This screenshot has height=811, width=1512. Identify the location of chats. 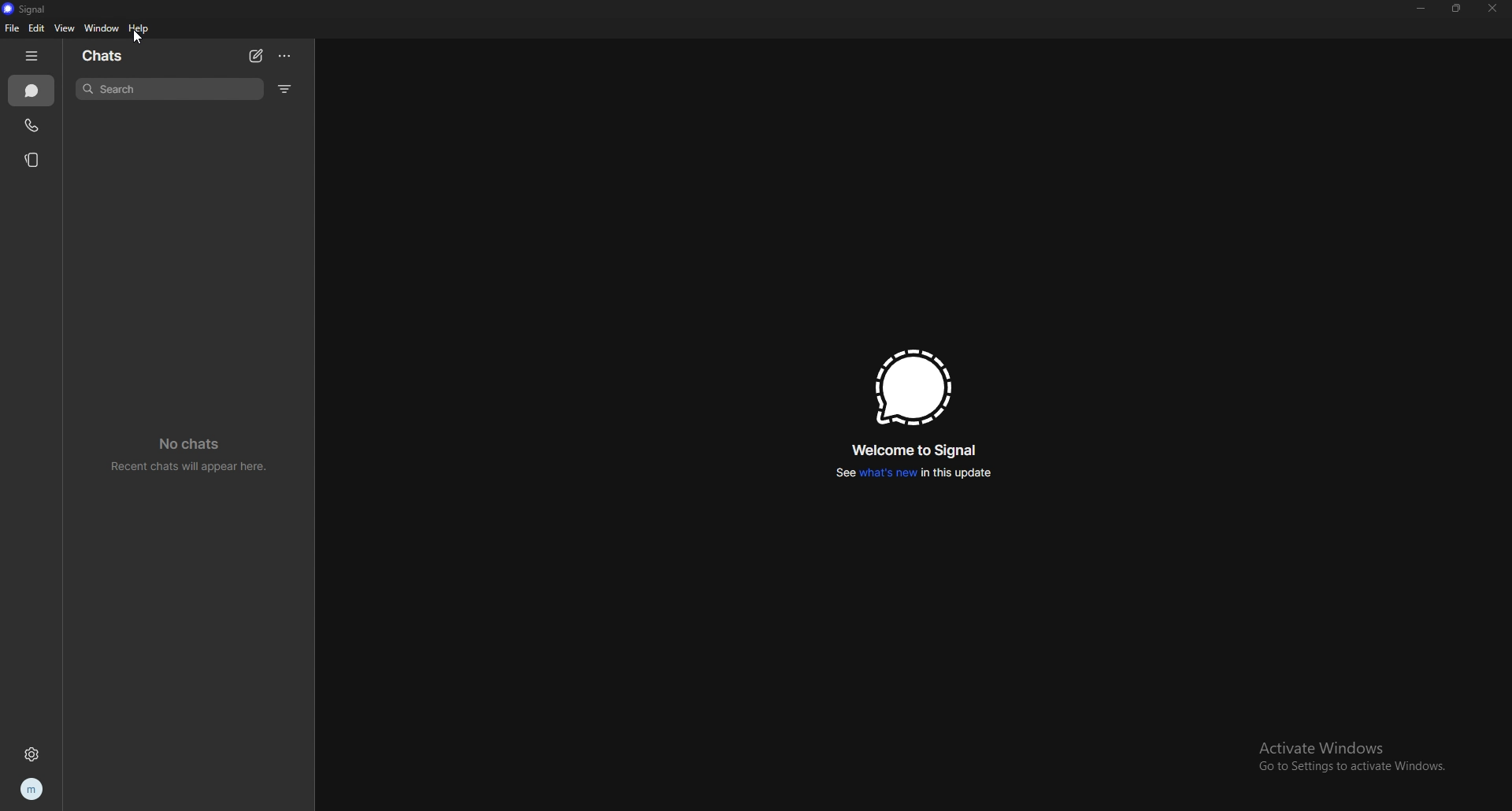
(31, 91).